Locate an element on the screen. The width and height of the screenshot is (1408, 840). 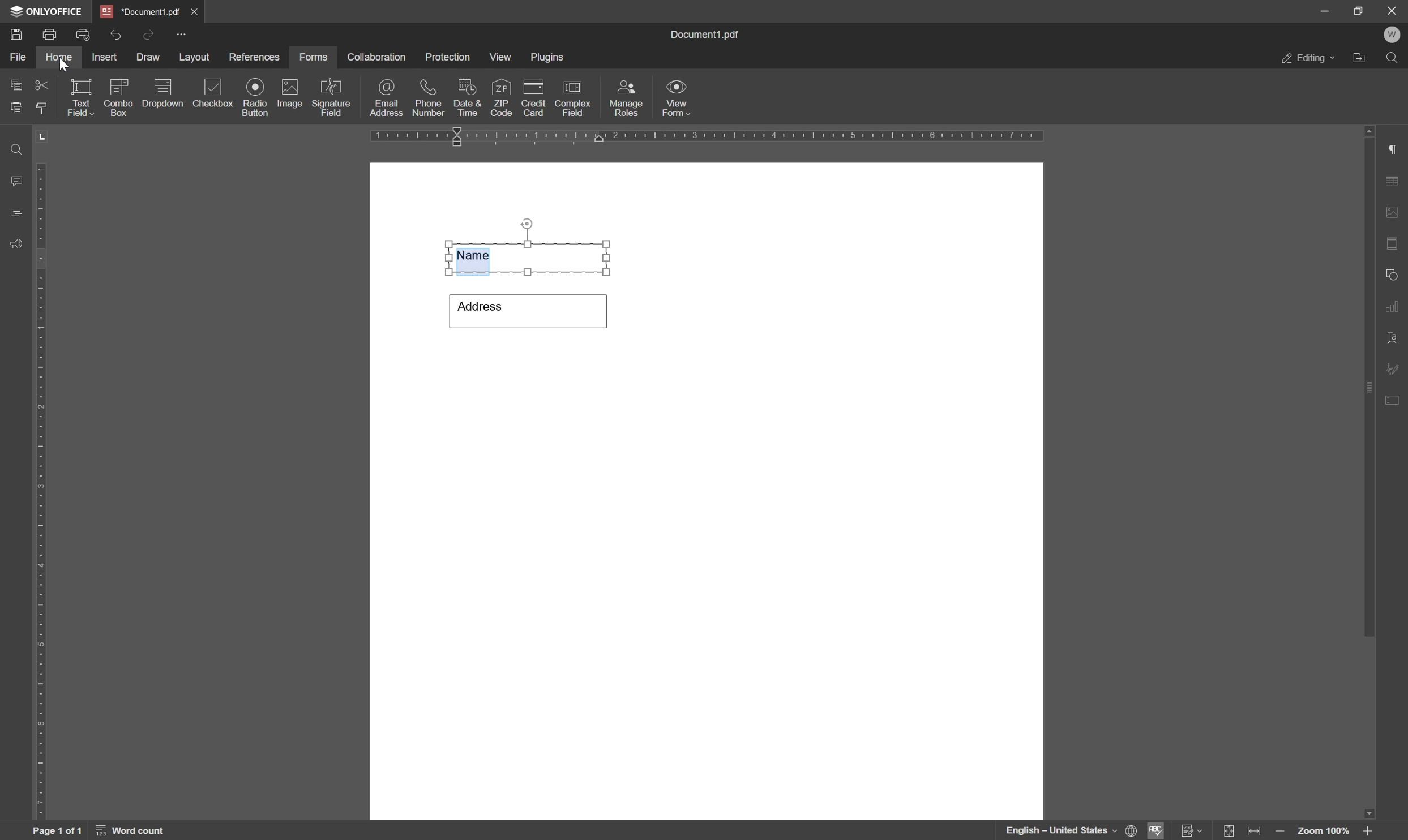
shape is located at coordinates (1395, 272).